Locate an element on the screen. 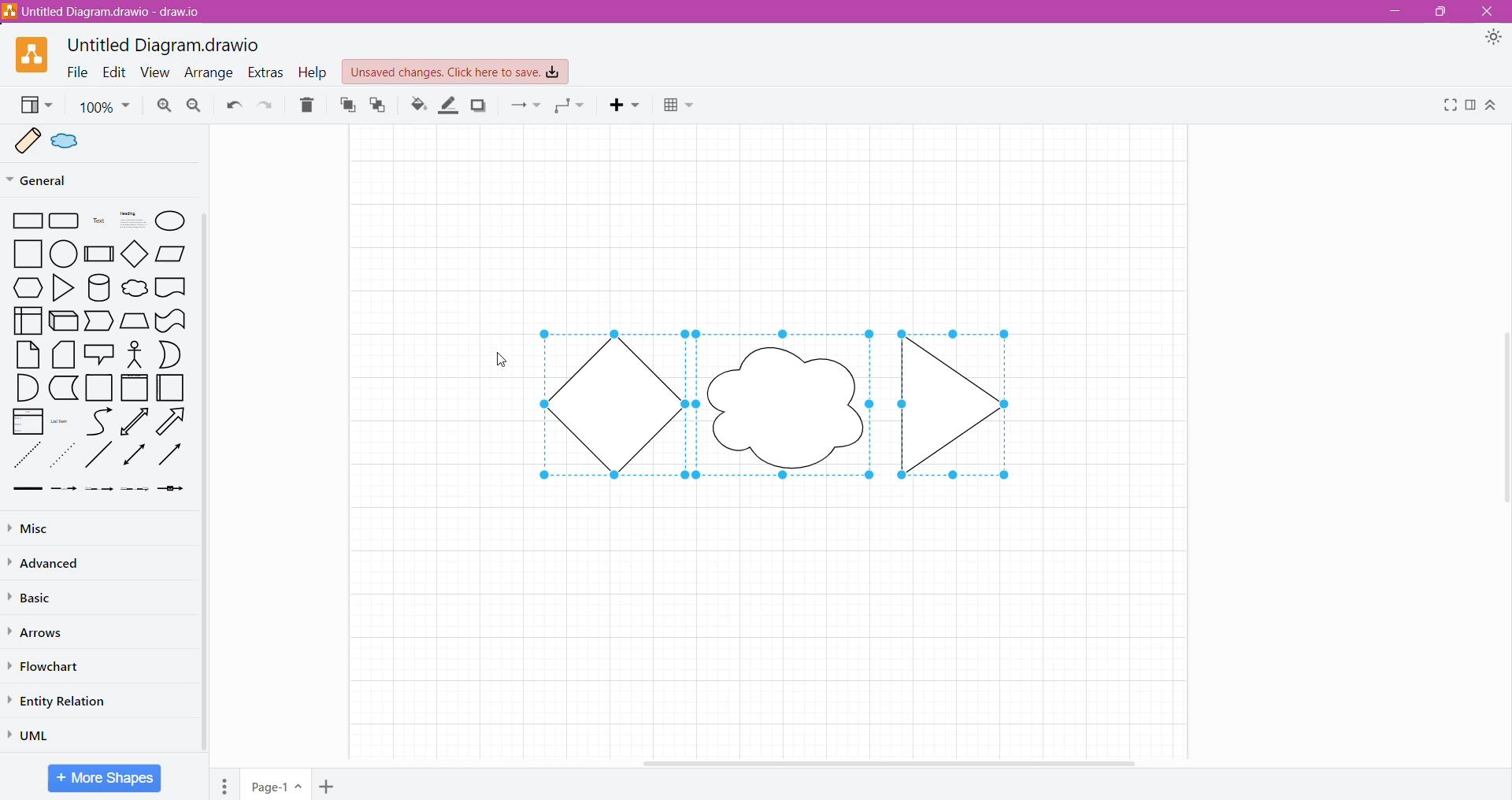 This screenshot has height=800, width=1512. Shape 2 ungrouped is located at coordinates (787, 400).